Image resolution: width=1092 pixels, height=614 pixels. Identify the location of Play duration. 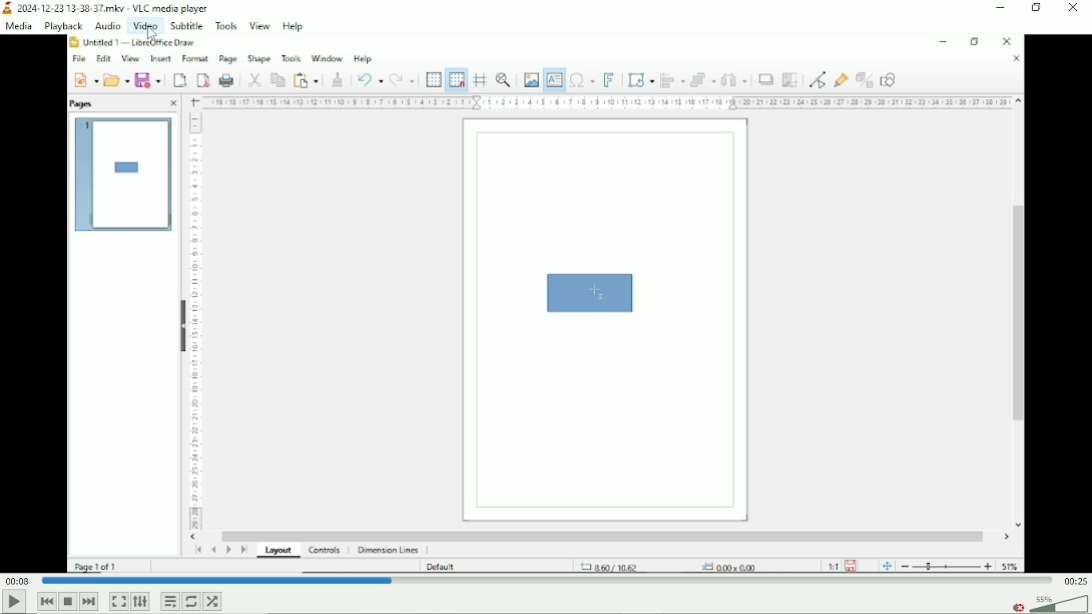
(548, 581).